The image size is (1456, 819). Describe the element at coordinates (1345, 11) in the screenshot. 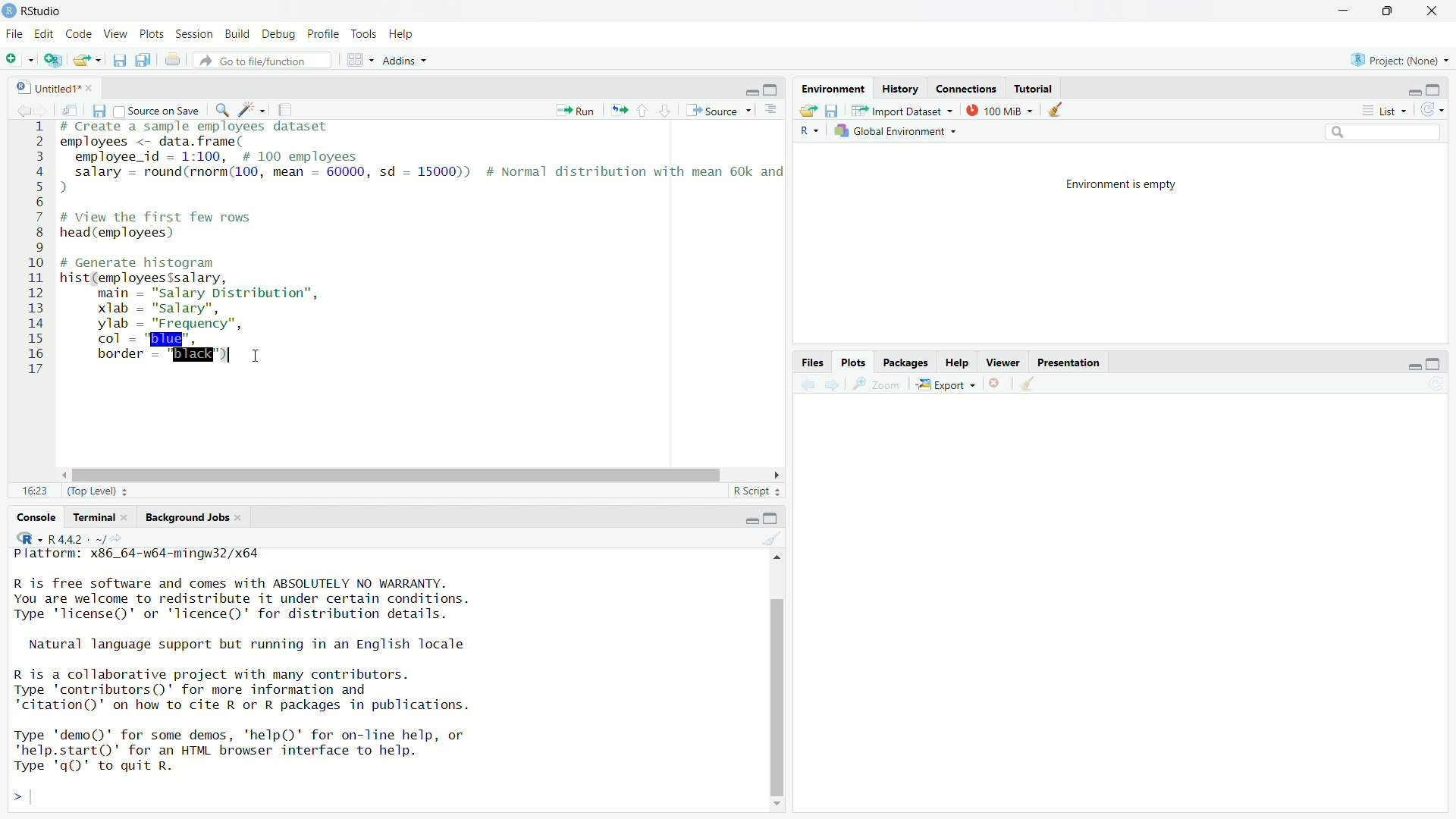

I see `Minimise ` at that location.